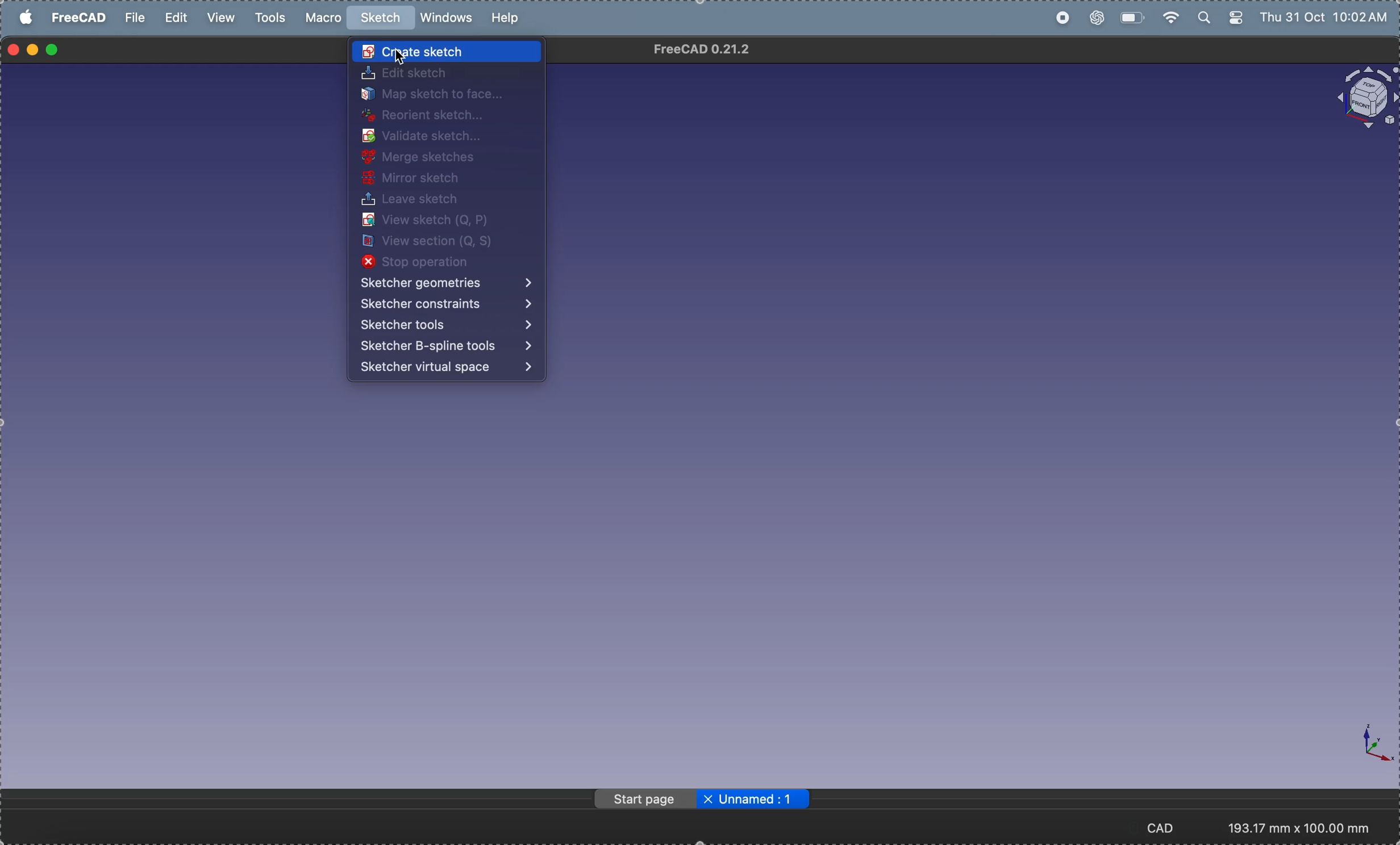 The height and width of the screenshot is (845, 1400). I want to click on 193.17 mm x 100.00 mm, so click(1299, 828).